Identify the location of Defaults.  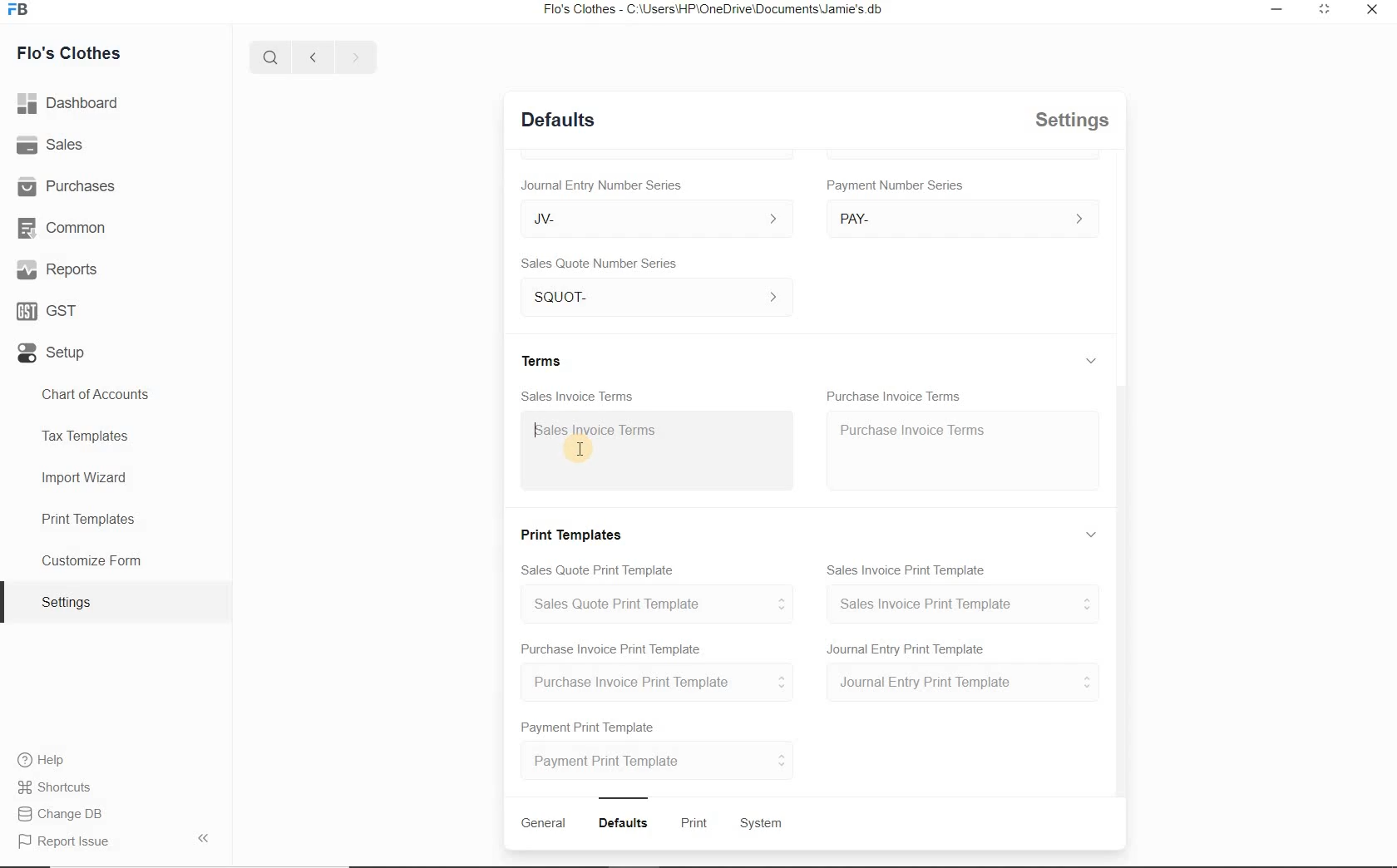
(558, 118).